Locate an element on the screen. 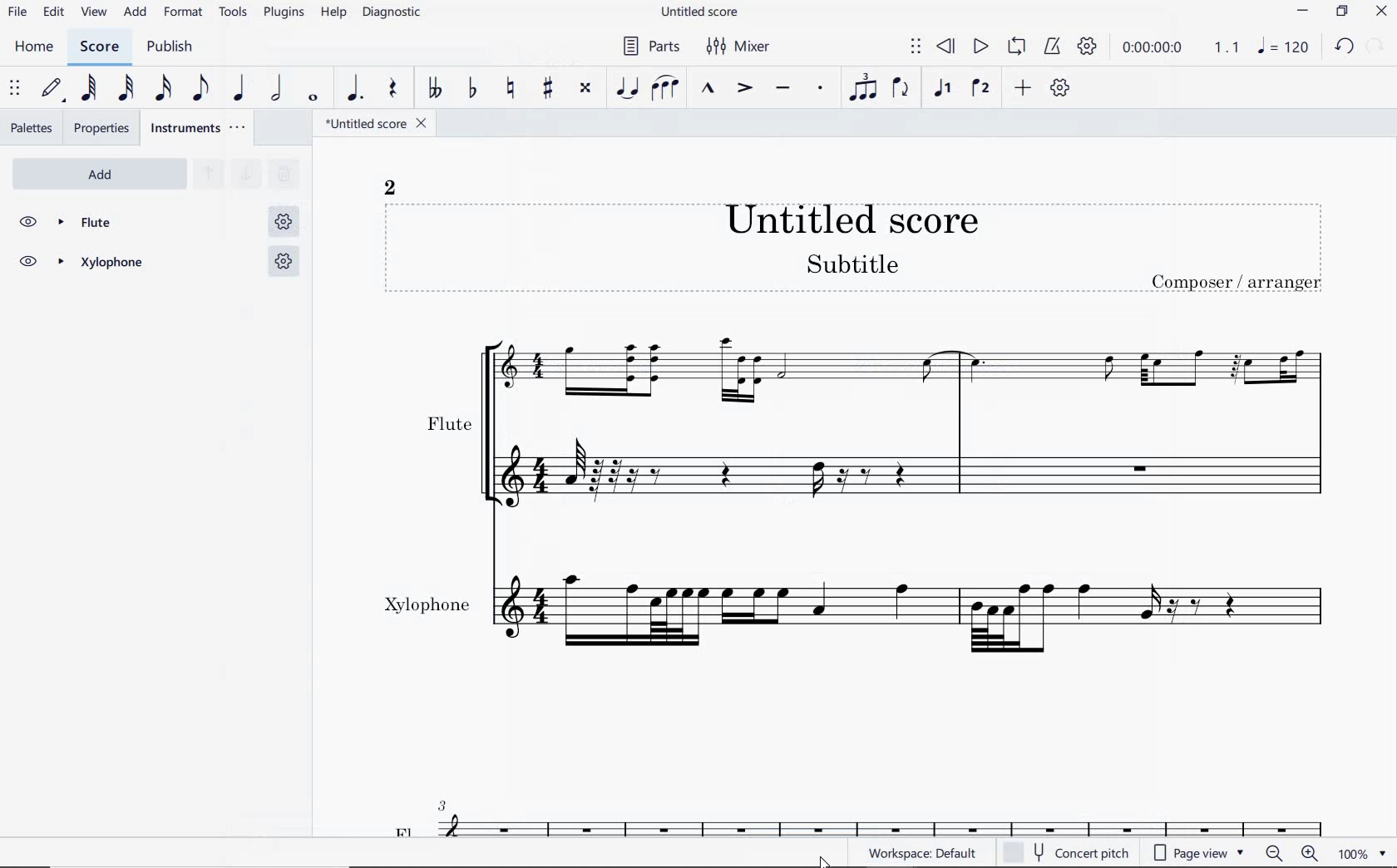 The height and width of the screenshot is (868, 1397). SCORE is located at coordinates (98, 46).